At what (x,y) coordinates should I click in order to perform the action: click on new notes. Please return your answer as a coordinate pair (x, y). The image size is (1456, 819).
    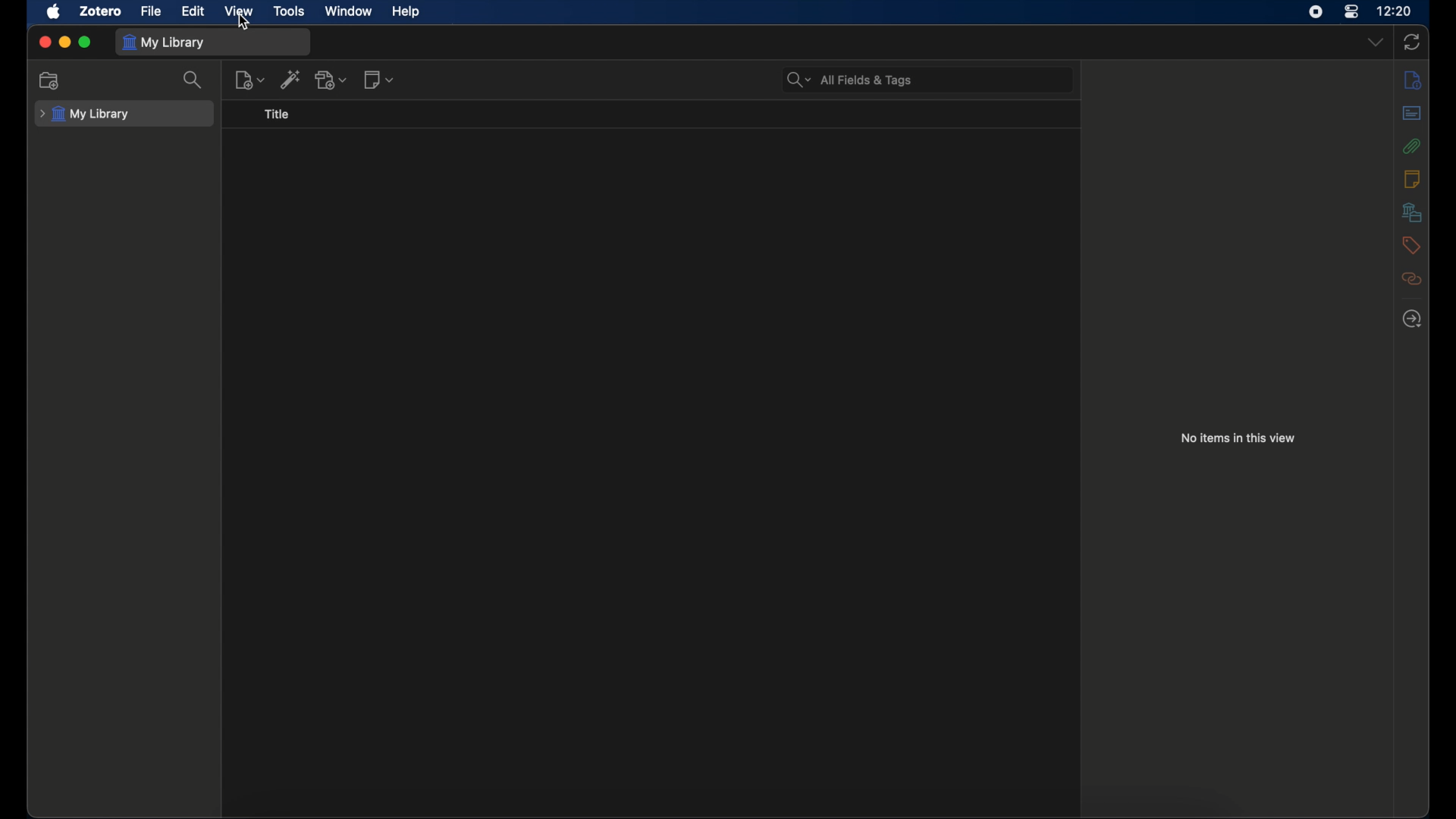
    Looking at the image, I should click on (379, 80).